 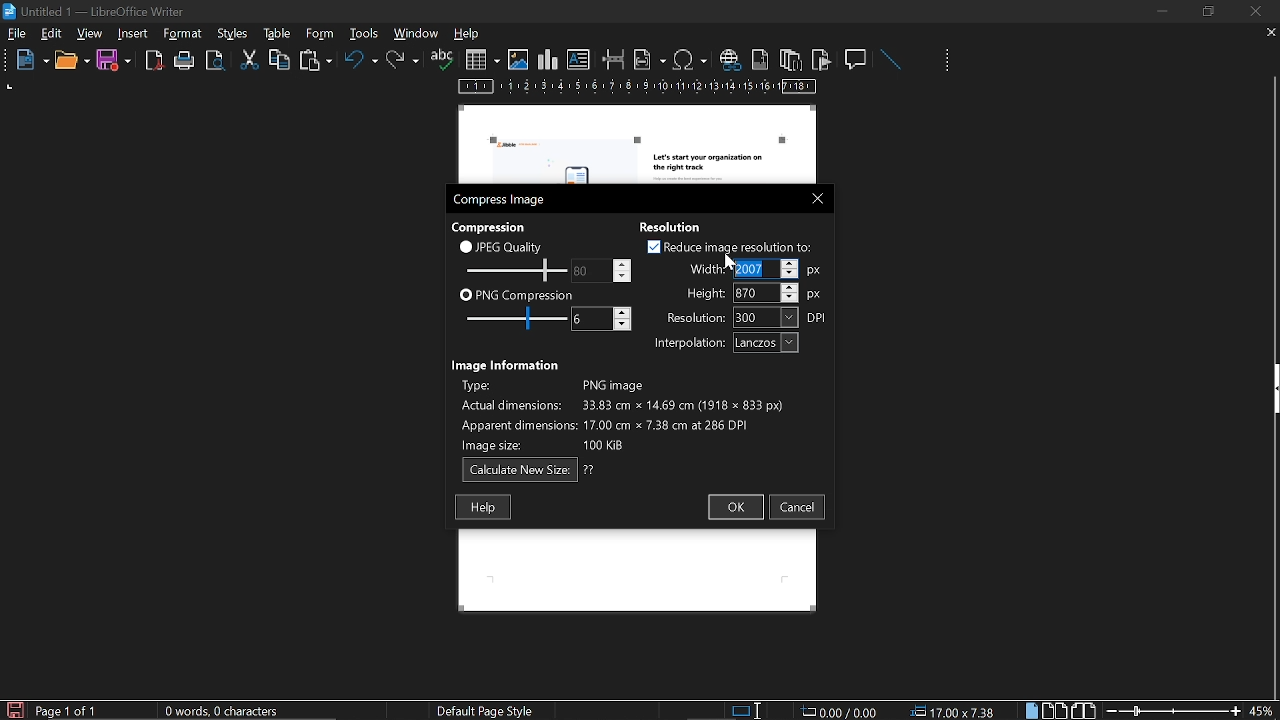 I want to click on image info, so click(x=622, y=412).